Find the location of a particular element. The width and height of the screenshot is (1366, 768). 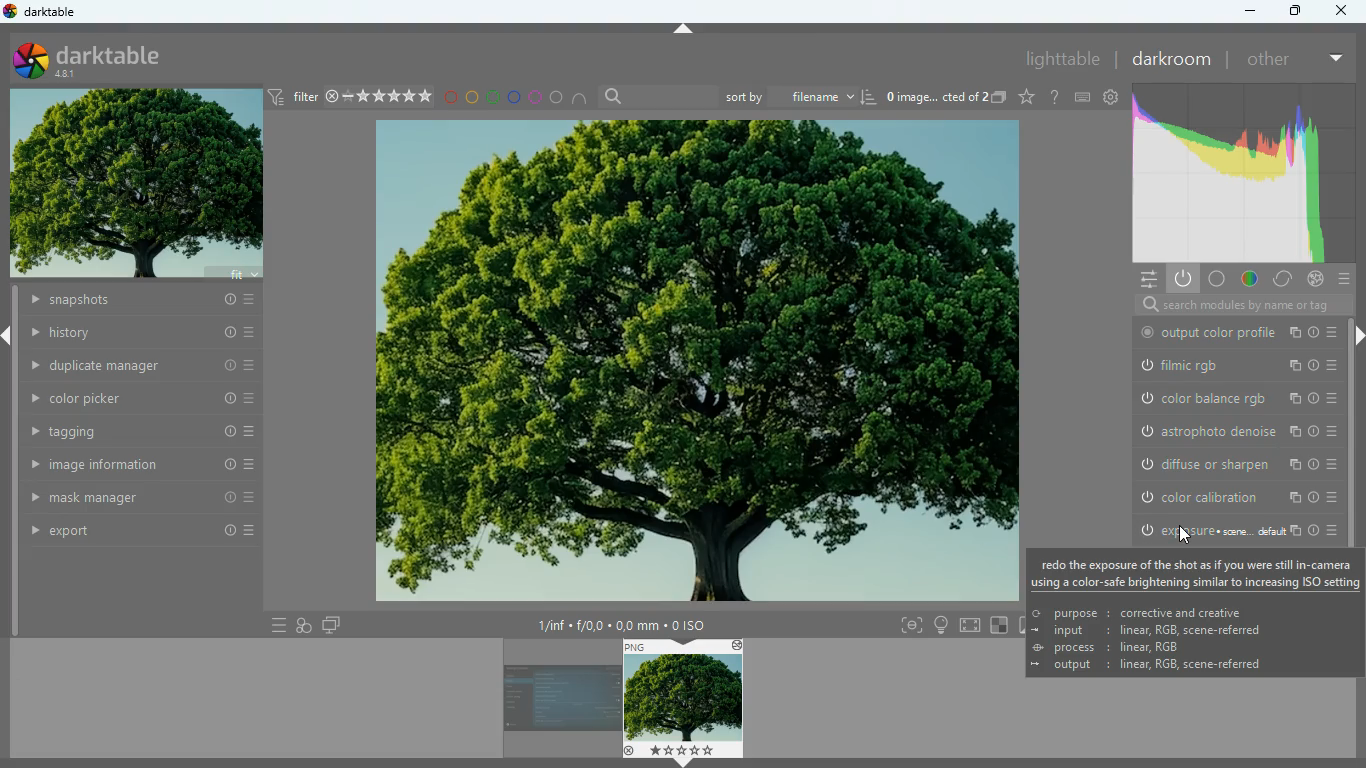

mask manager is located at coordinates (131, 500).